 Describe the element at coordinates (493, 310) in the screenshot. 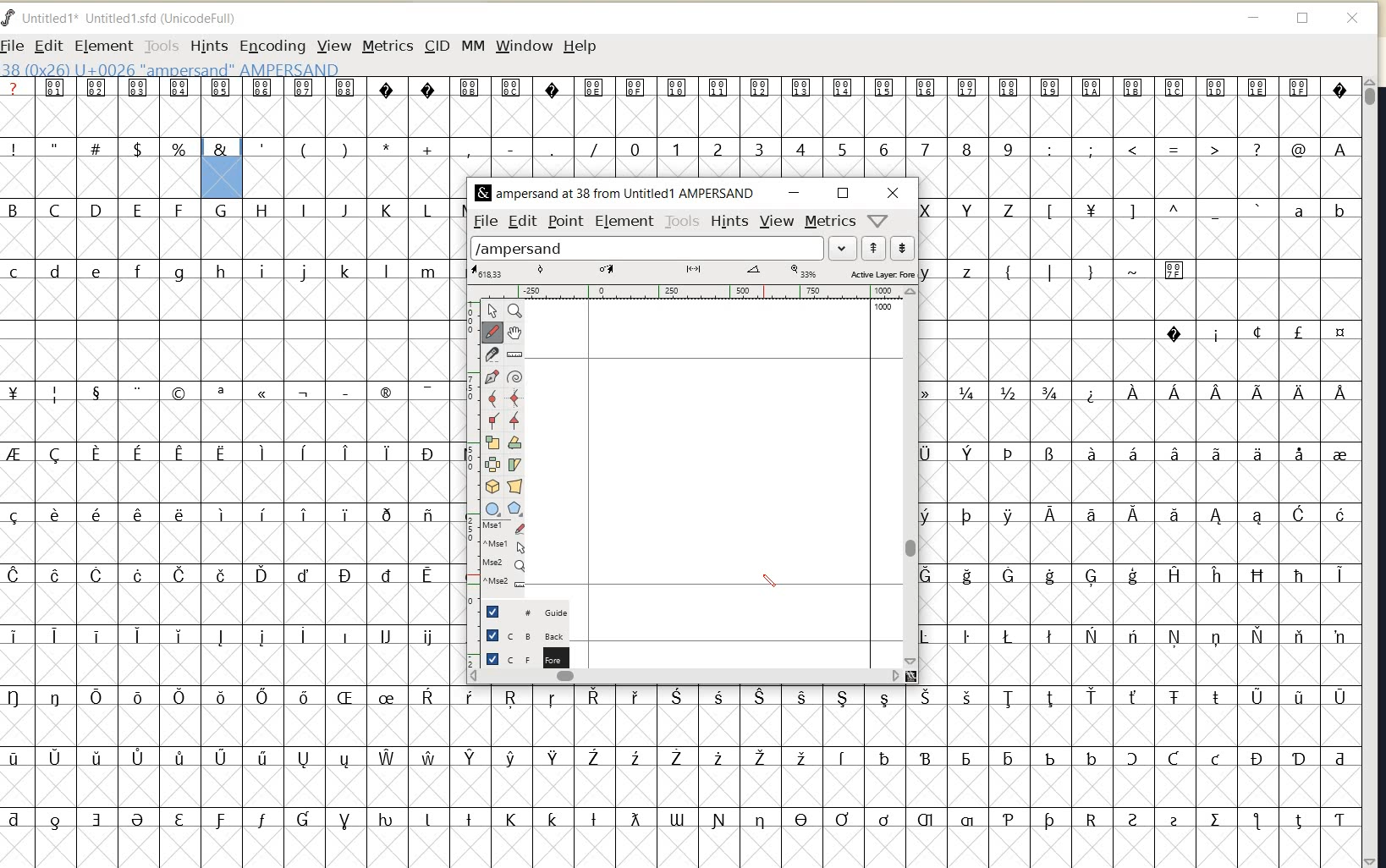

I see `pointer` at that location.